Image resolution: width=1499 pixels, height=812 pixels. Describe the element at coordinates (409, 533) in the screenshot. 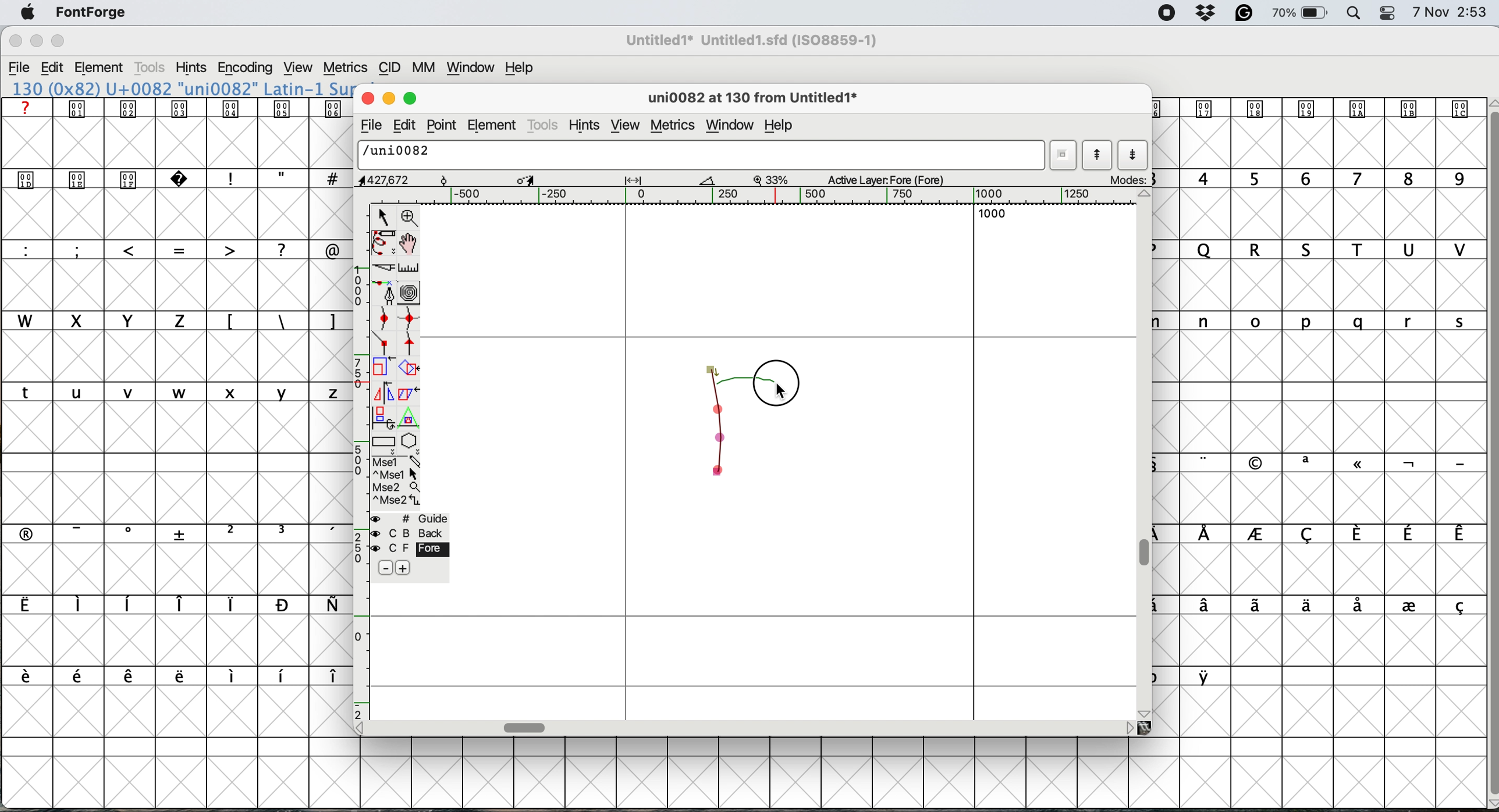

I see `back` at that location.